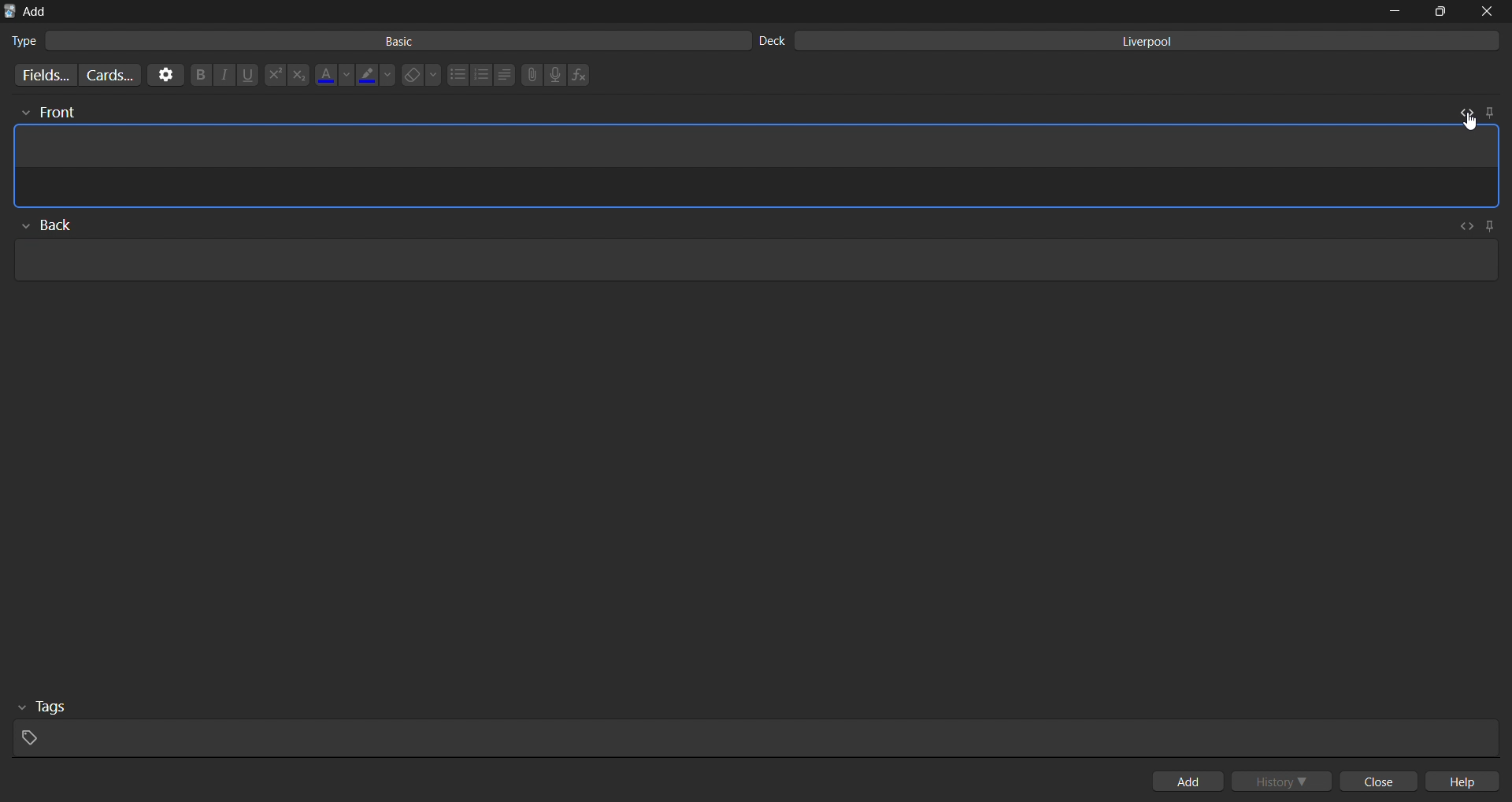  Describe the element at coordinates (758, 188) in the screenshot. I see `html editor` at that location.